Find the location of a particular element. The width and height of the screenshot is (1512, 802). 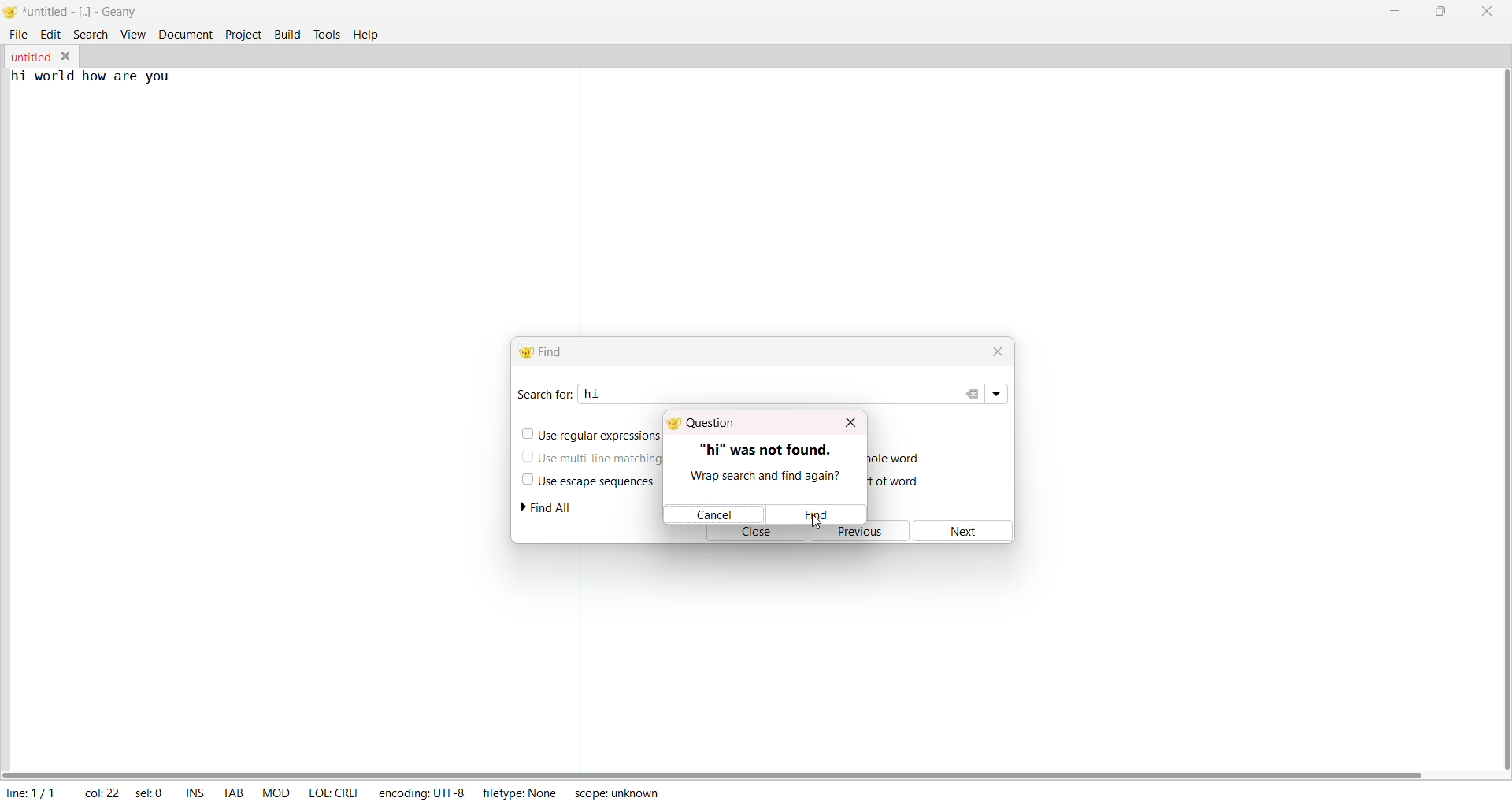

col: 22 is located at coordinates (102, 792).